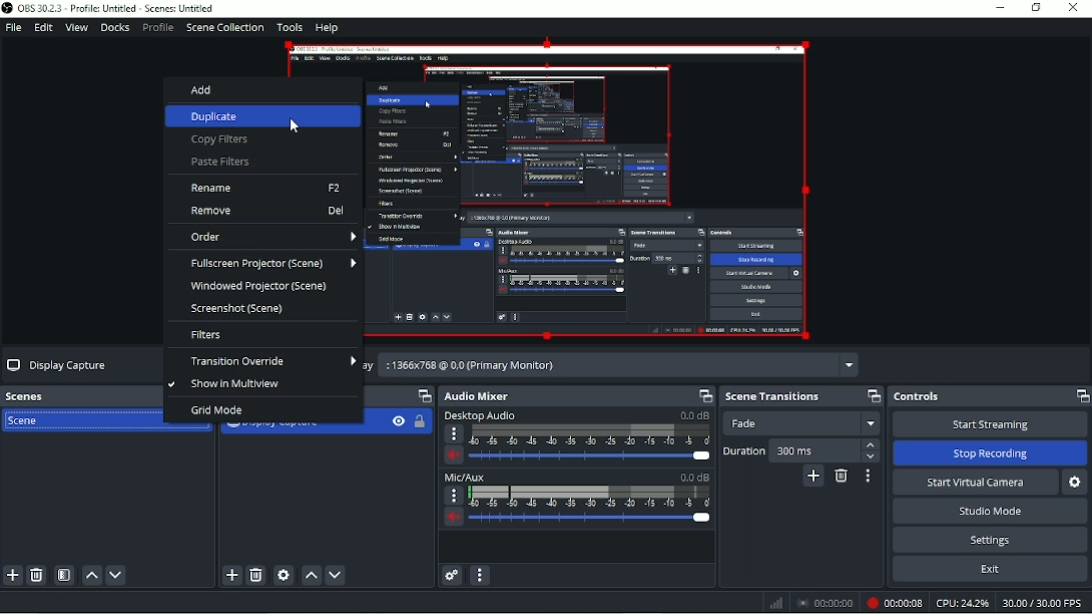  What do you see at coordinates (58, 364) in the screenshot?
I see `Display Capture` at bounding box center [58, 364].